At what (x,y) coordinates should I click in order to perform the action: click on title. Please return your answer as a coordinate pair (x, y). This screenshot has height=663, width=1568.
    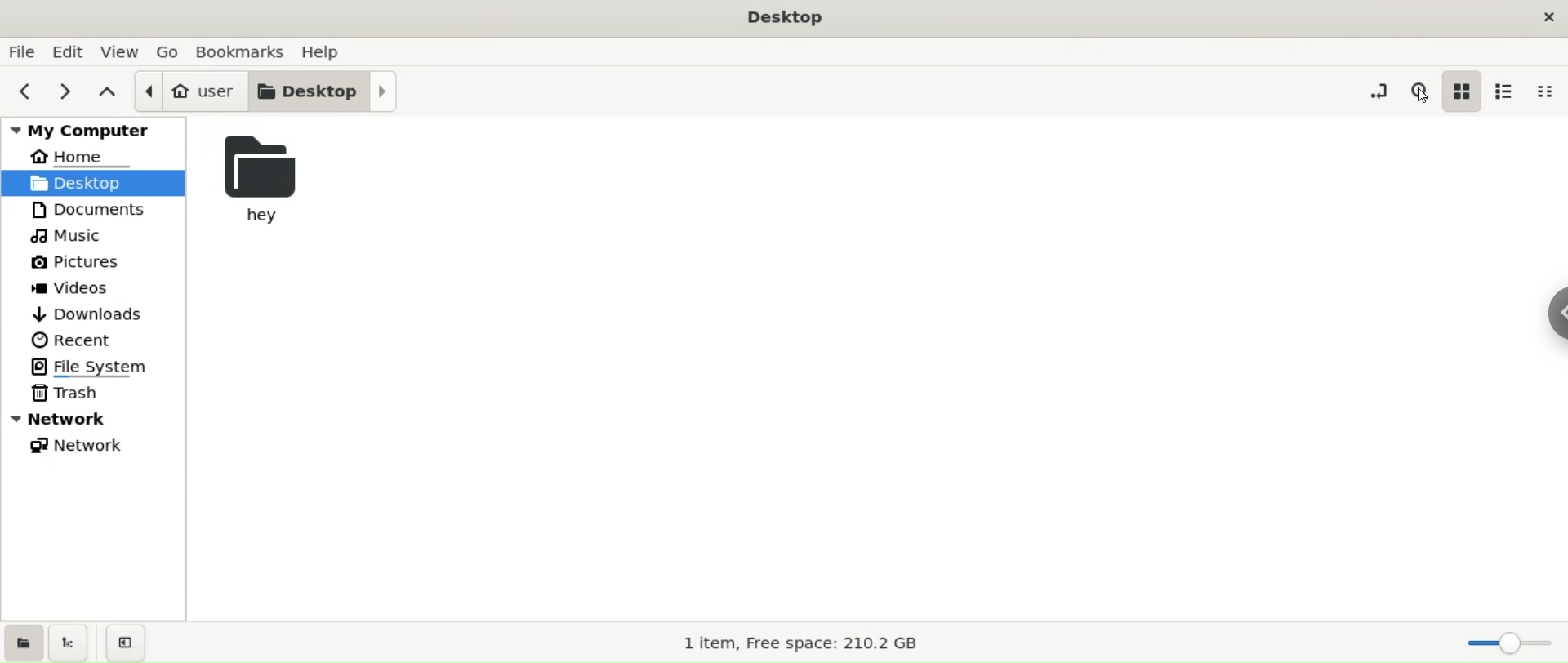
    Looking at the image, I should click on (771, 17).